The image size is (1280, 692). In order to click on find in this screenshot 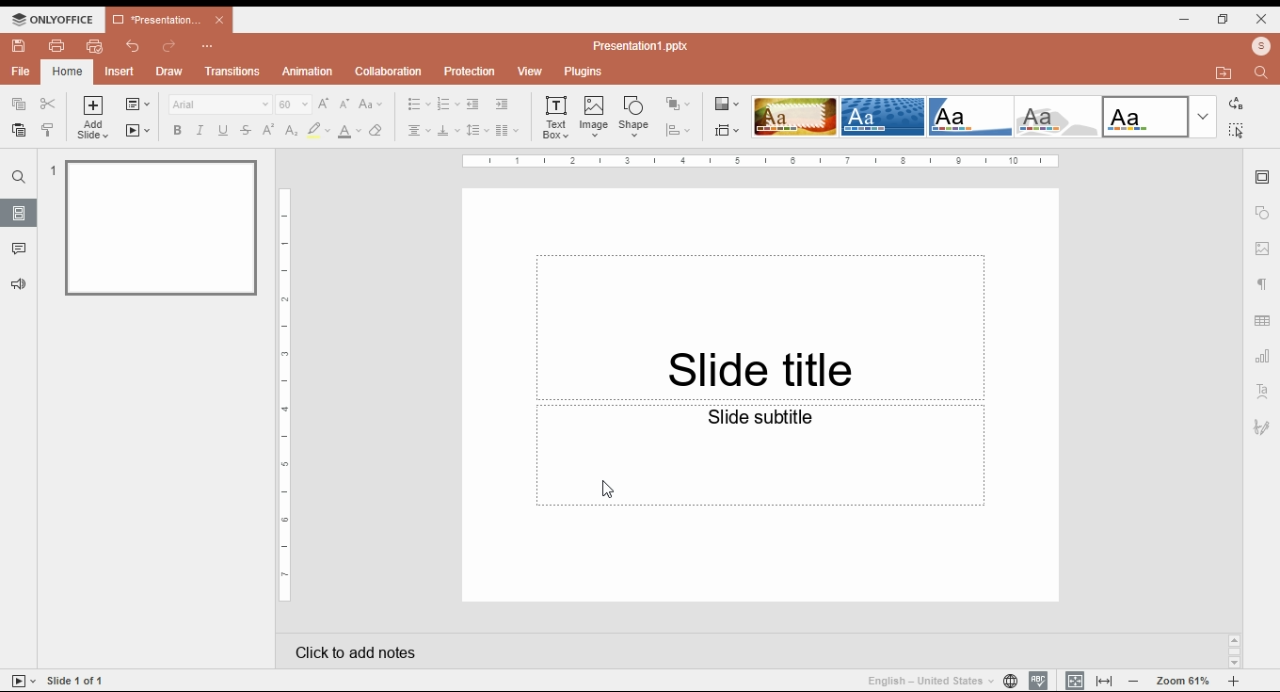, I will do `click(1264, 71)`.